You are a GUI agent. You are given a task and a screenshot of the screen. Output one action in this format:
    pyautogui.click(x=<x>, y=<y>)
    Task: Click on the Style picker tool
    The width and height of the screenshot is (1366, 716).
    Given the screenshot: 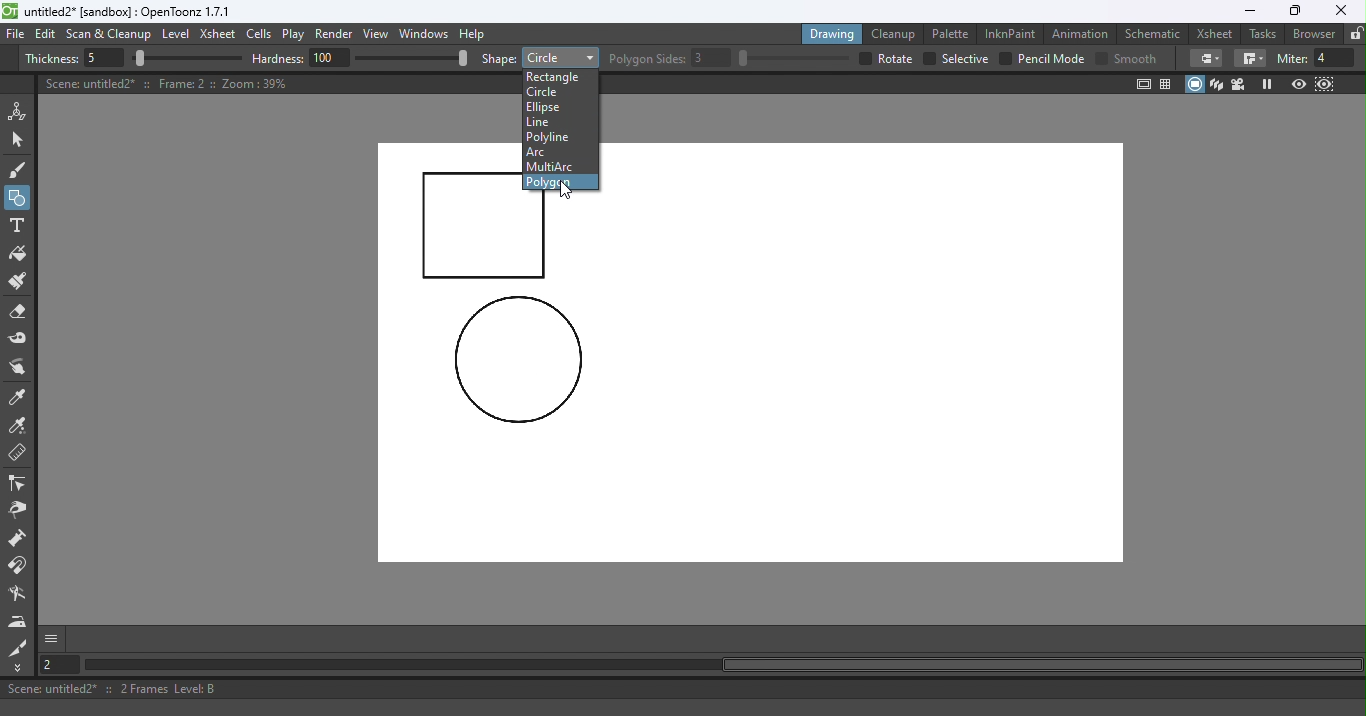 What is the action you would take?
    pyautogui.click(x=19, y=398)
    